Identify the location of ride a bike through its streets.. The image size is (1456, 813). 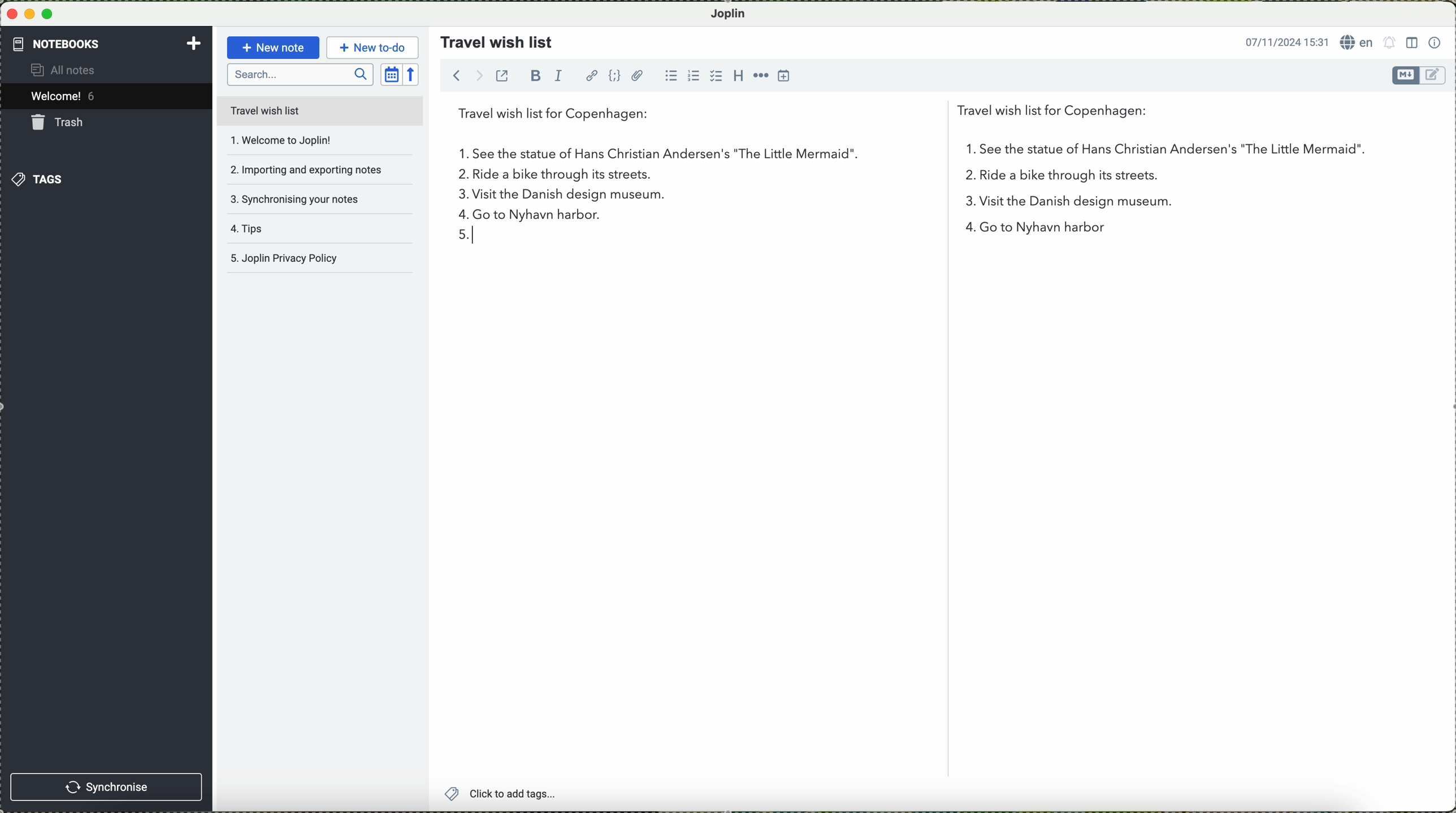
(554, 176).